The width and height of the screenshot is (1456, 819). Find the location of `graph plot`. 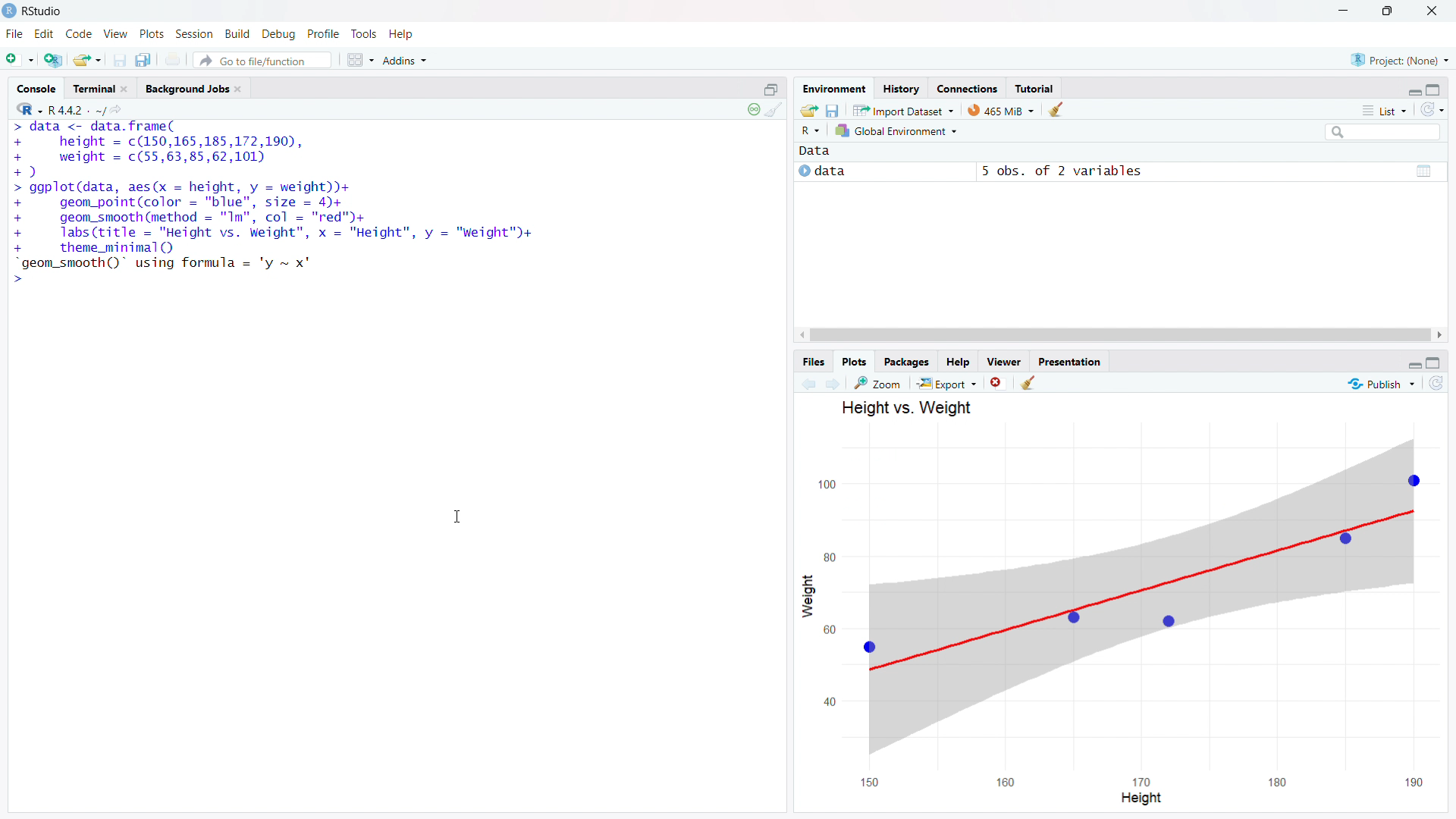

graph plot is located at coordinates (1141, 599).